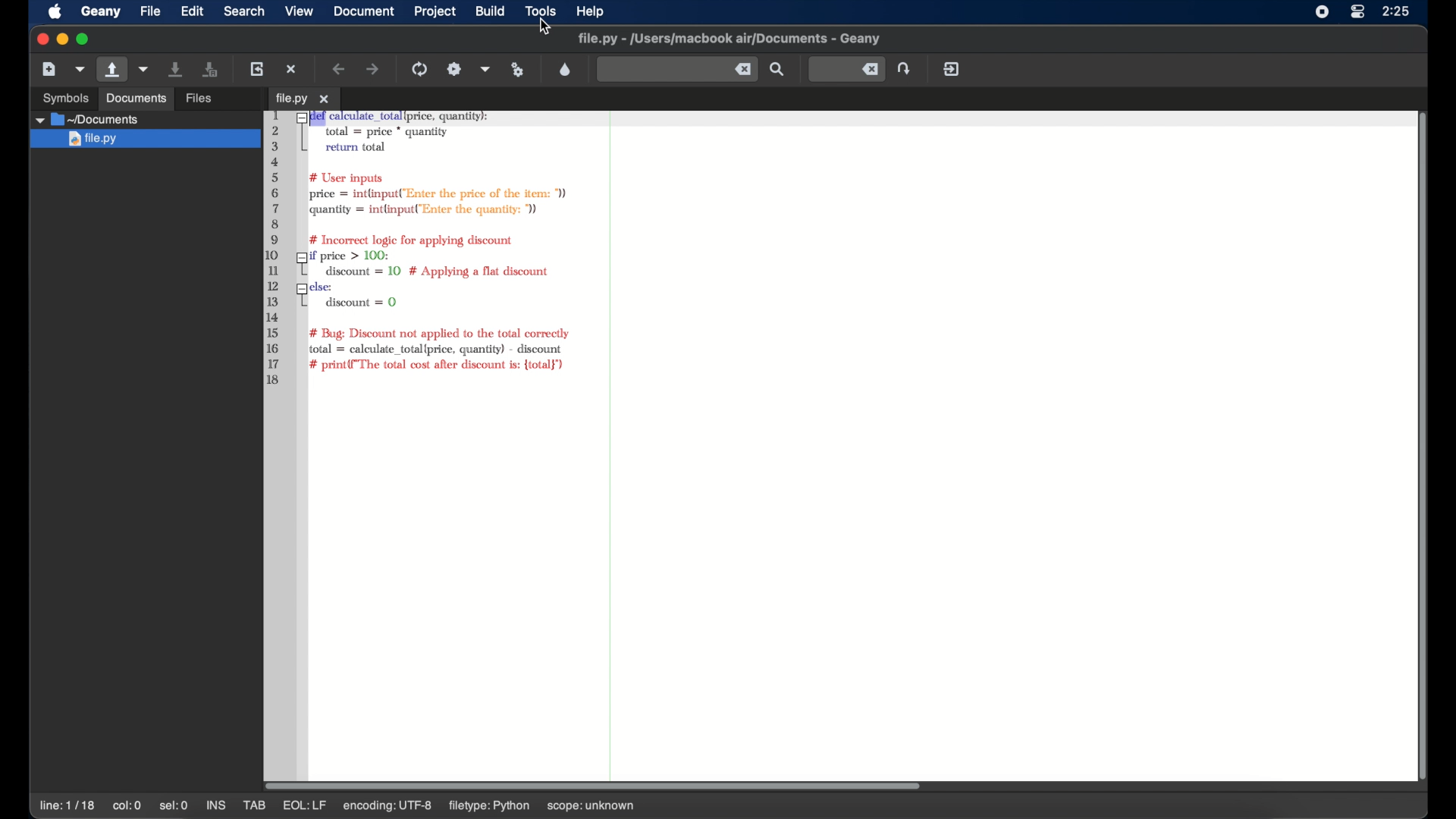  What do you see at coordinates (532, 805) in the screenshot?
I see `filetype: python` at bounding box center [532, 805].